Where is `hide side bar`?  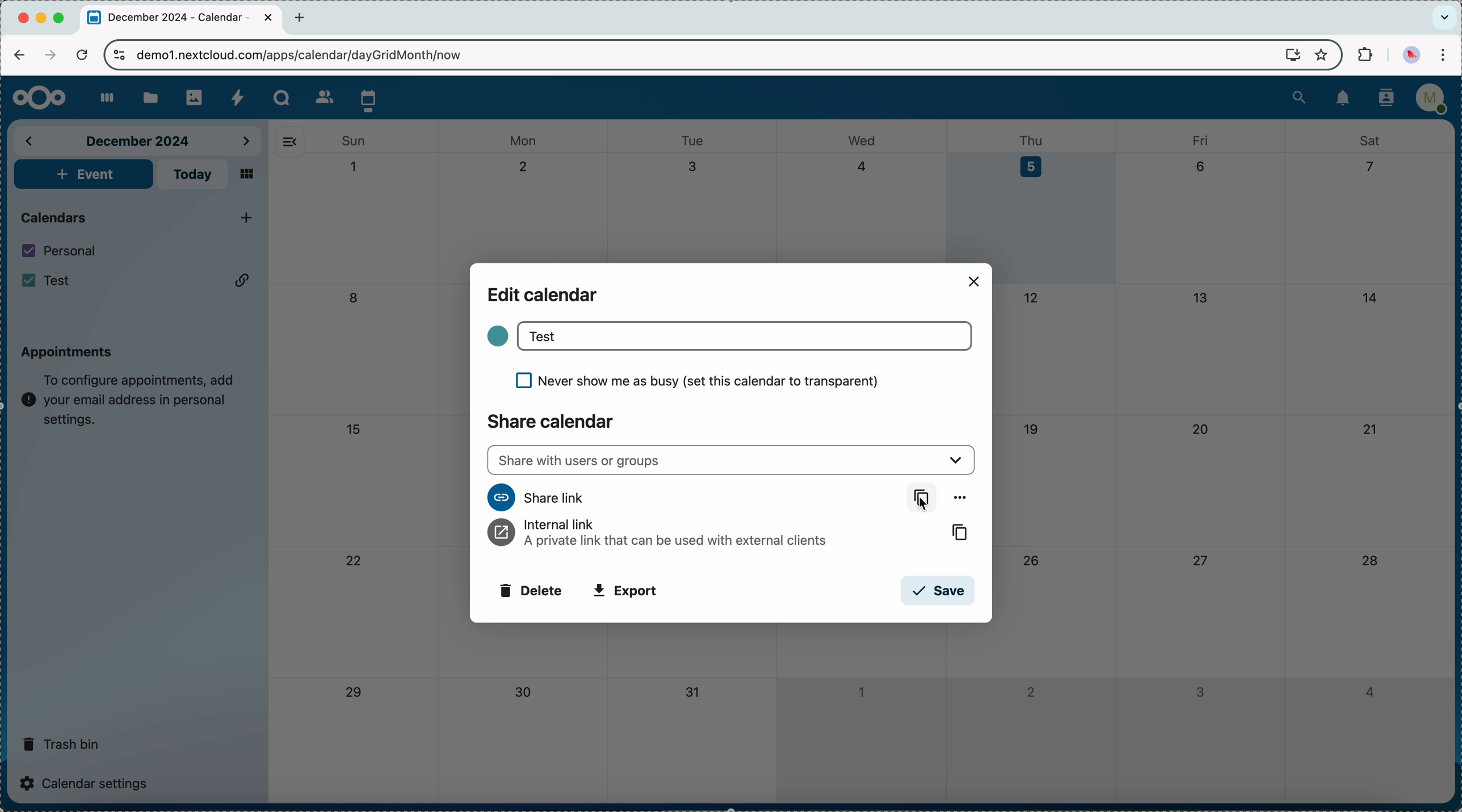 hide side bar is located at coordinates (289, 141).